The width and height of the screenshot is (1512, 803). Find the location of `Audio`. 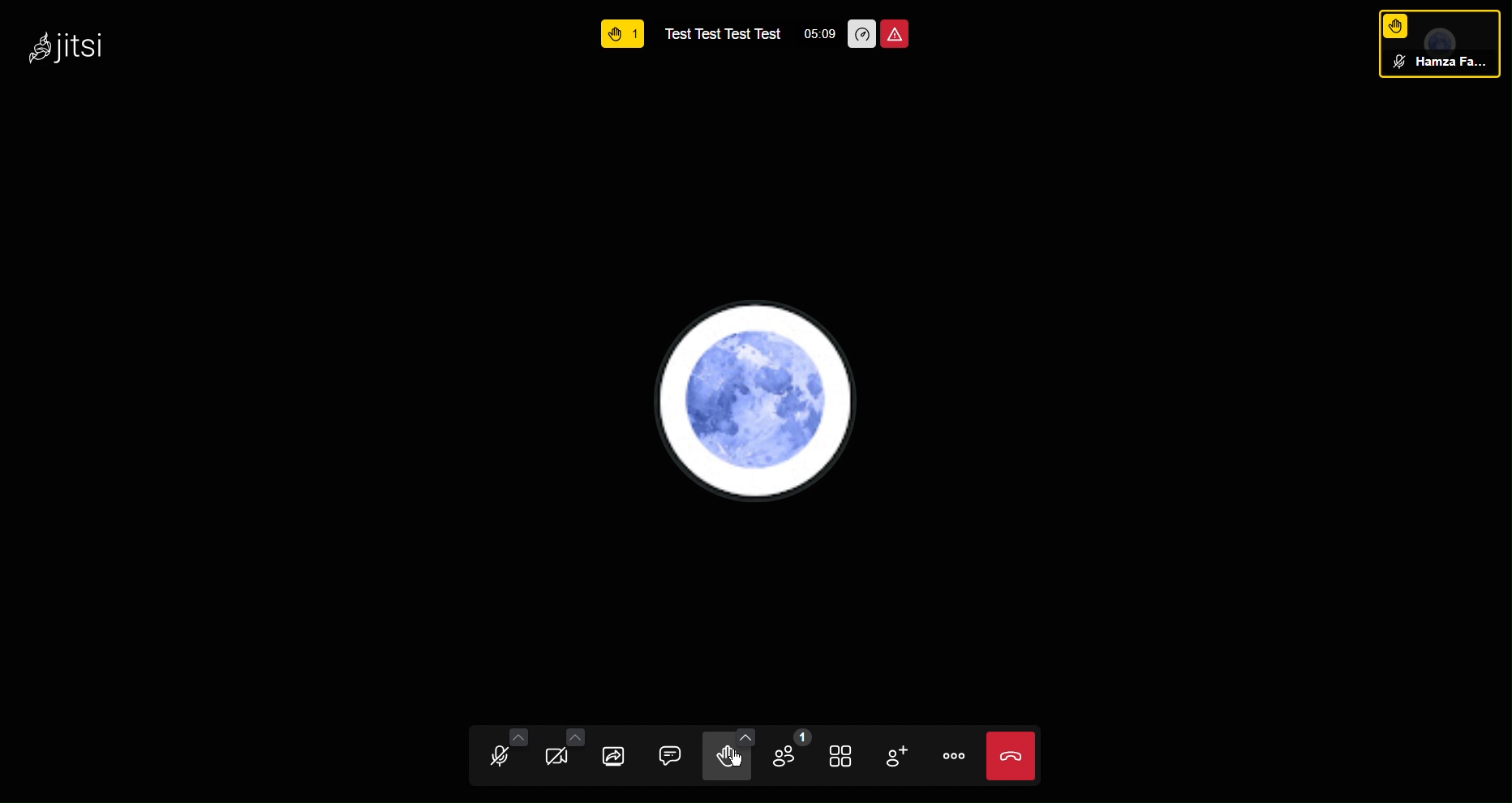

Audio is located at coordinates (500, 754).